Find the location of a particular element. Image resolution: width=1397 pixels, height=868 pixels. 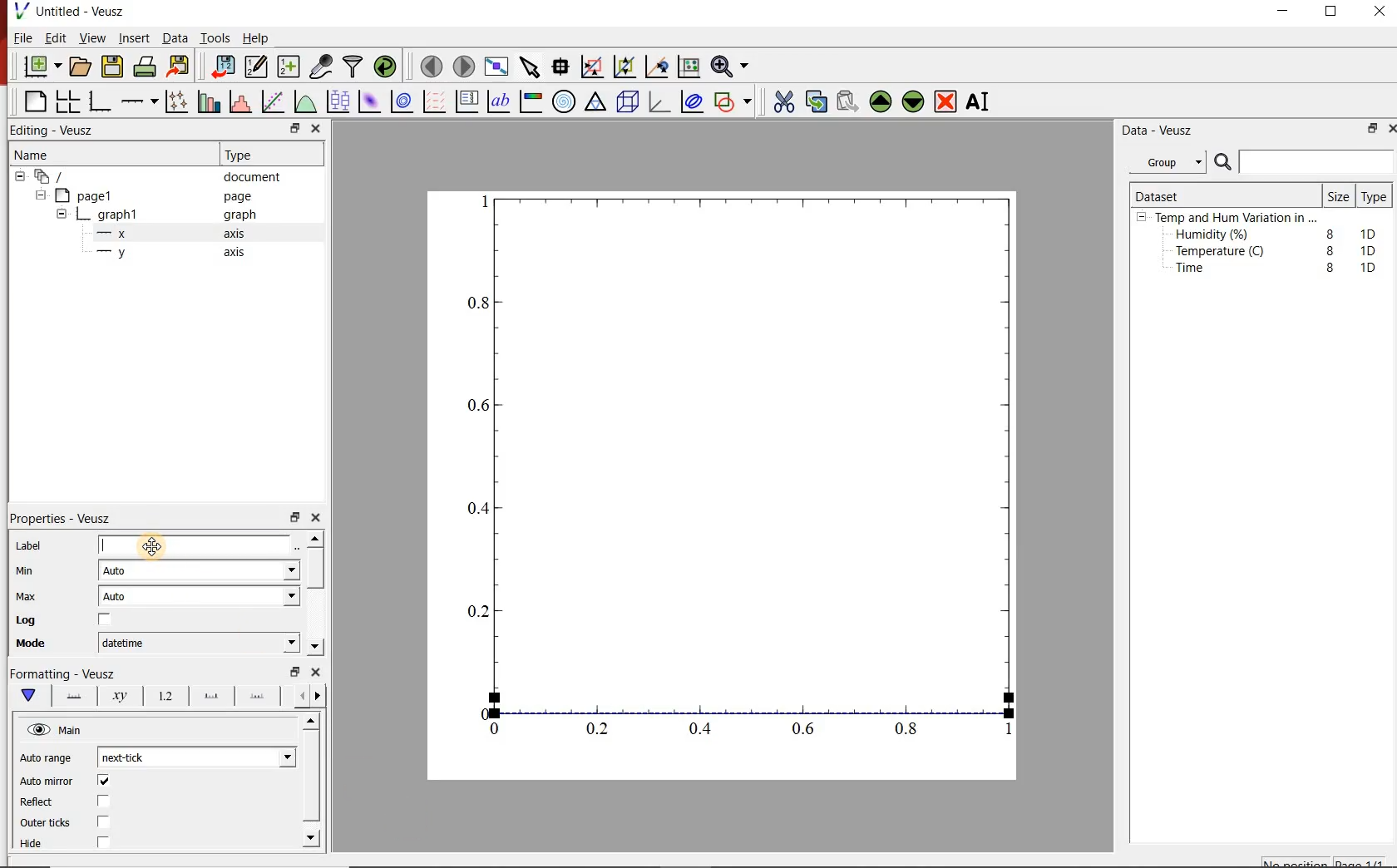

Auto is located at coordinates (124, 599).